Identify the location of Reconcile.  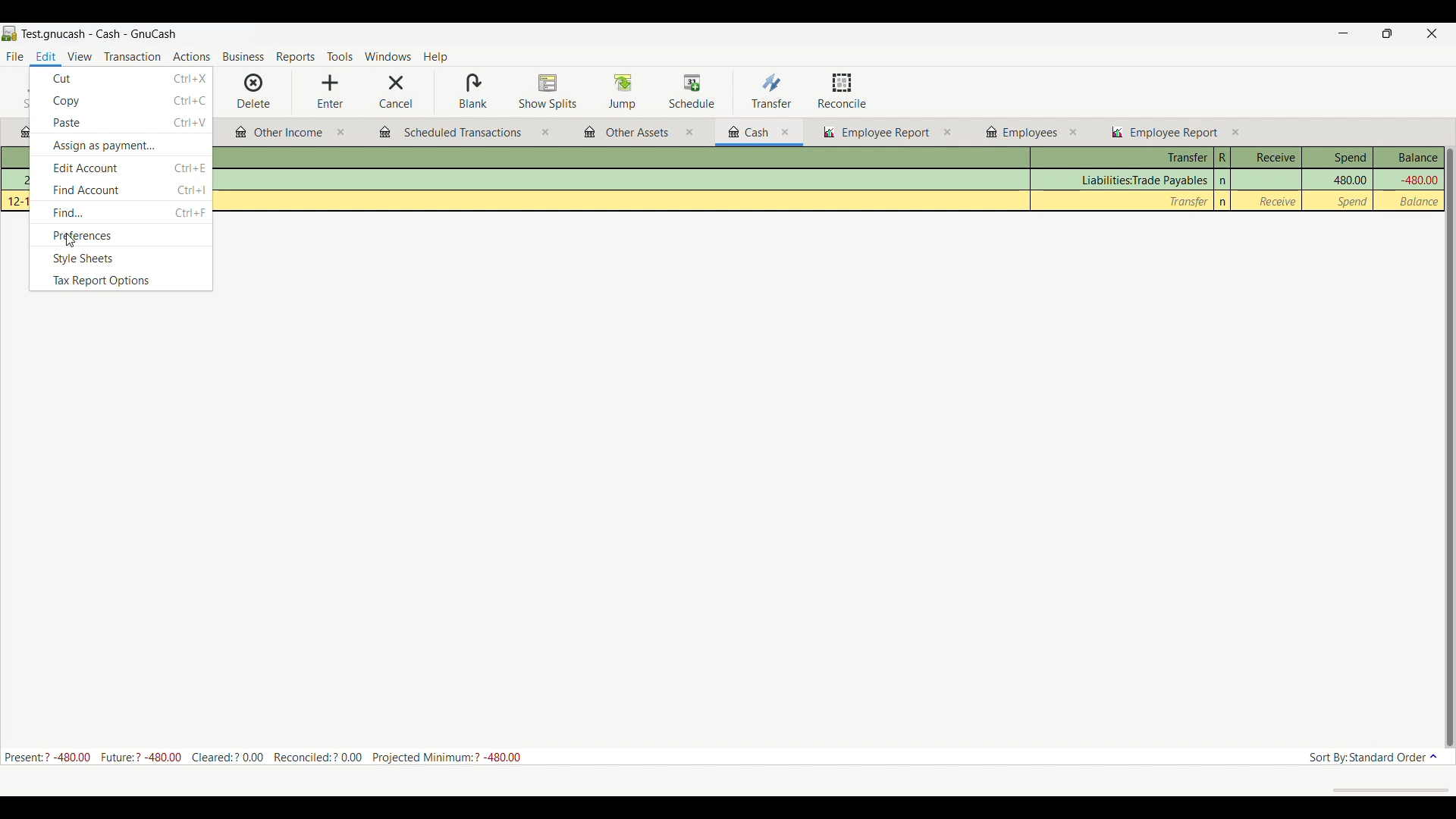
(842, 91).